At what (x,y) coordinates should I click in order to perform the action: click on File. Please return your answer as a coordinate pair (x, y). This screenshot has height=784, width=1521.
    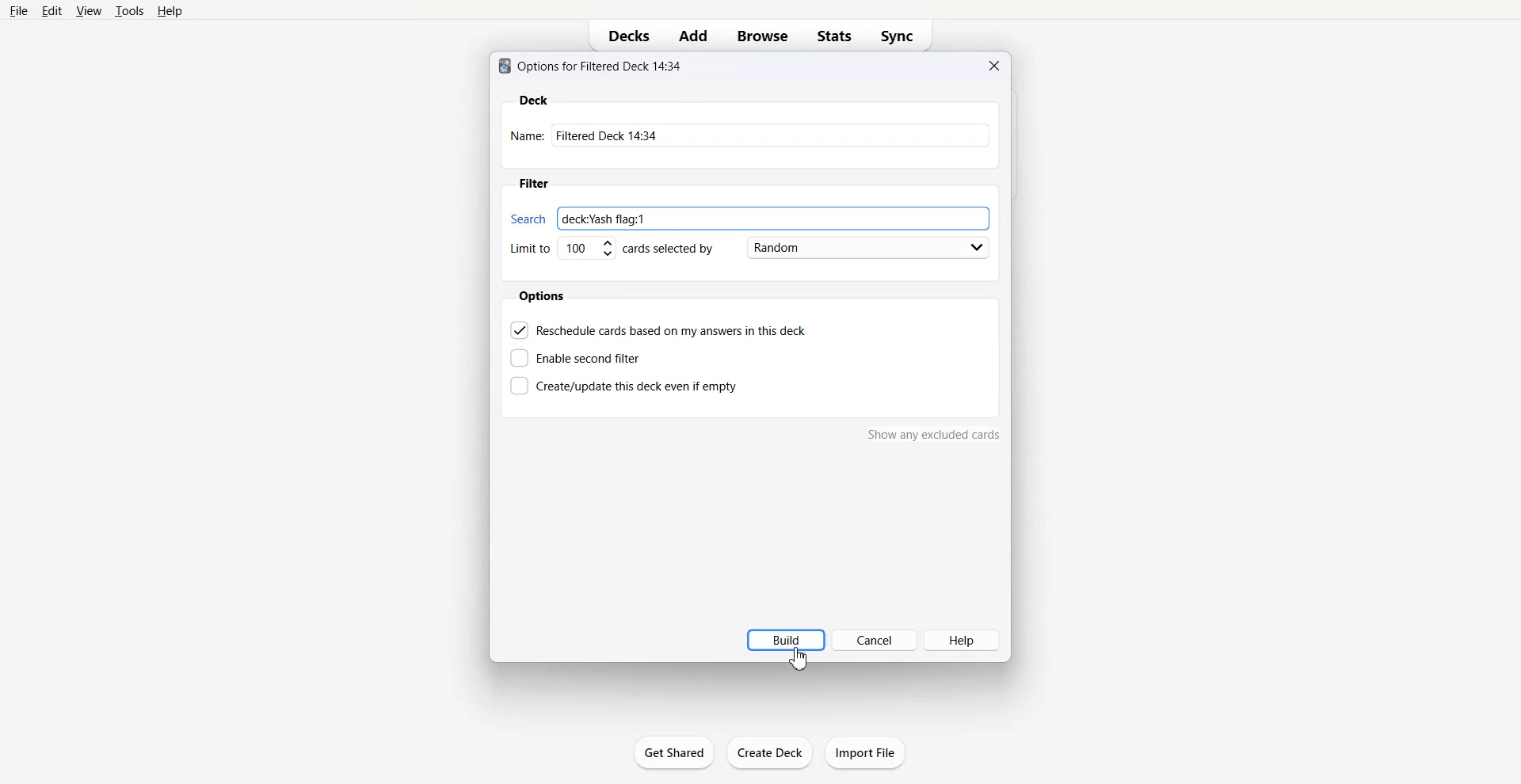
    Looking at the image, I should click on (19, 11).